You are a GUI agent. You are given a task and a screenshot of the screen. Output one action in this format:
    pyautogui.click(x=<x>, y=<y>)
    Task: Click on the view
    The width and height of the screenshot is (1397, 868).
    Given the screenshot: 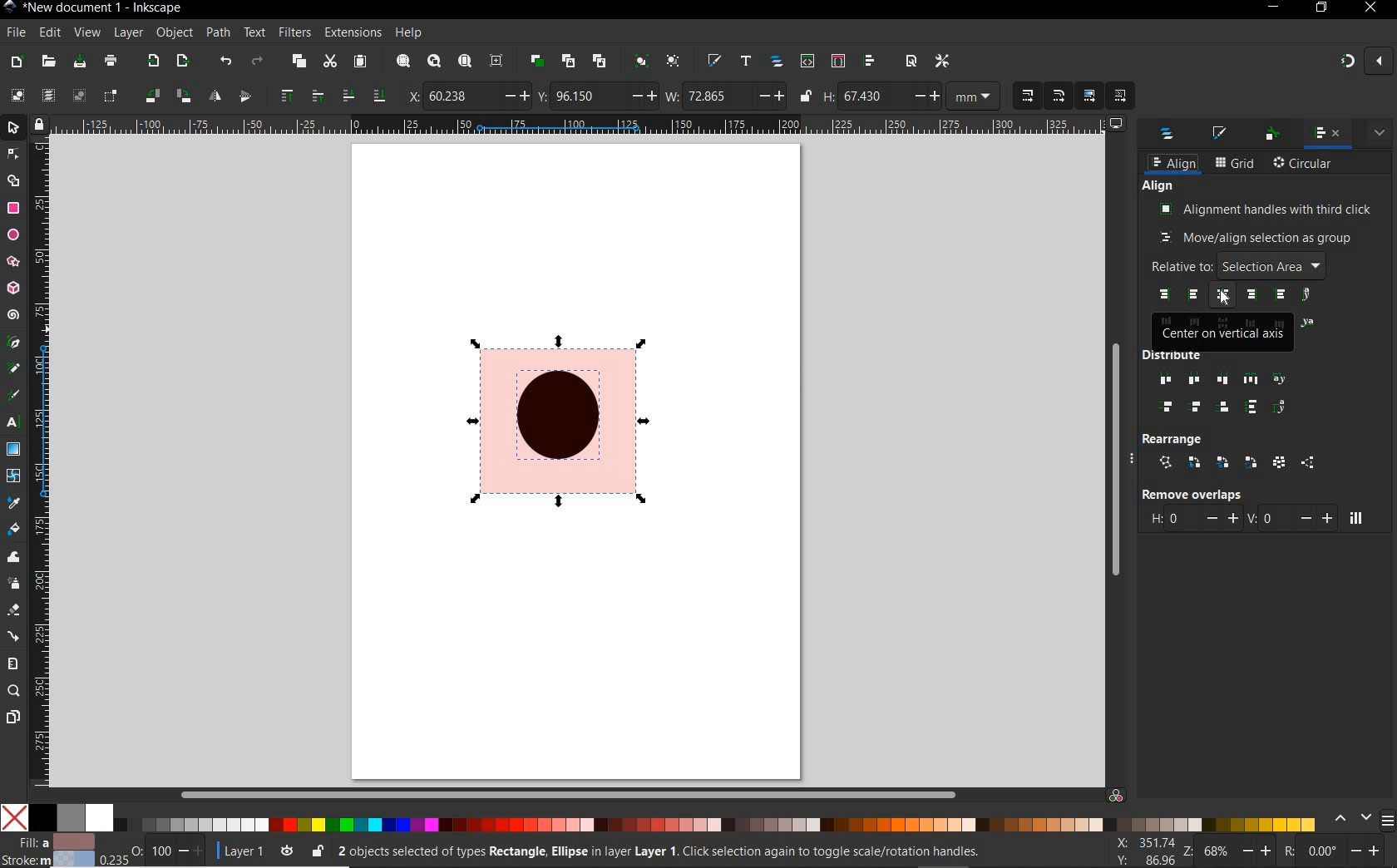 What is the action you would take?
    pyautogui.click(x=86, y=31)
    